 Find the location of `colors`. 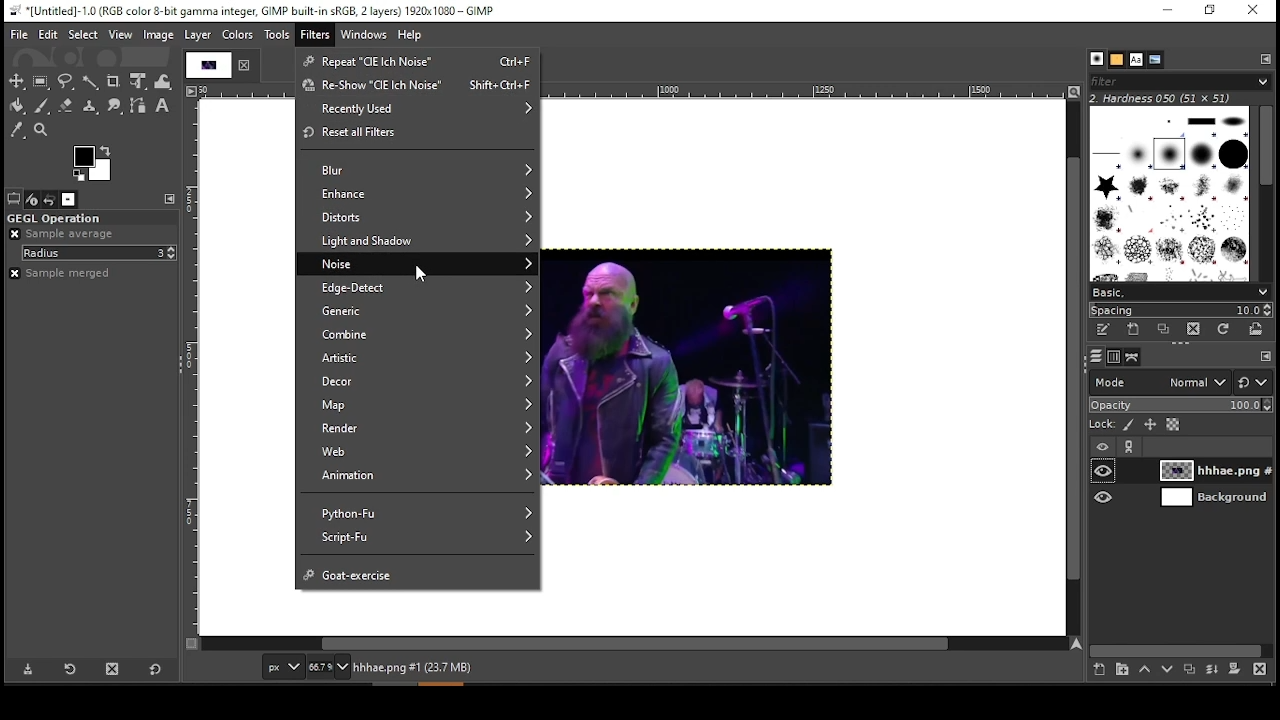

colors is located at coordinates (238, 36).